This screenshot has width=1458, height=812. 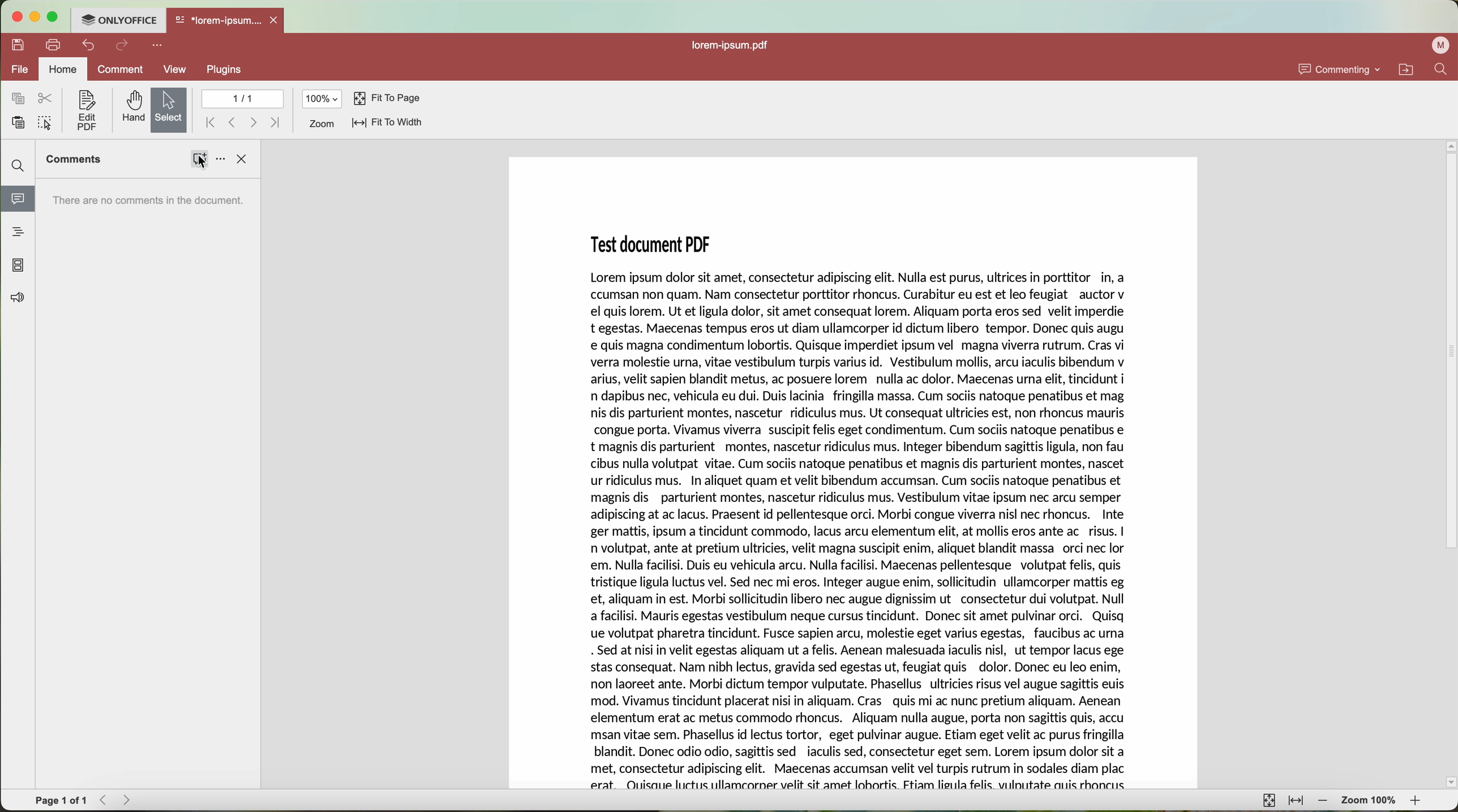 What do you see at coordinates (61, 799) in the screenshot?
I see `page 1 of 1` at bounding box center [61, 799].